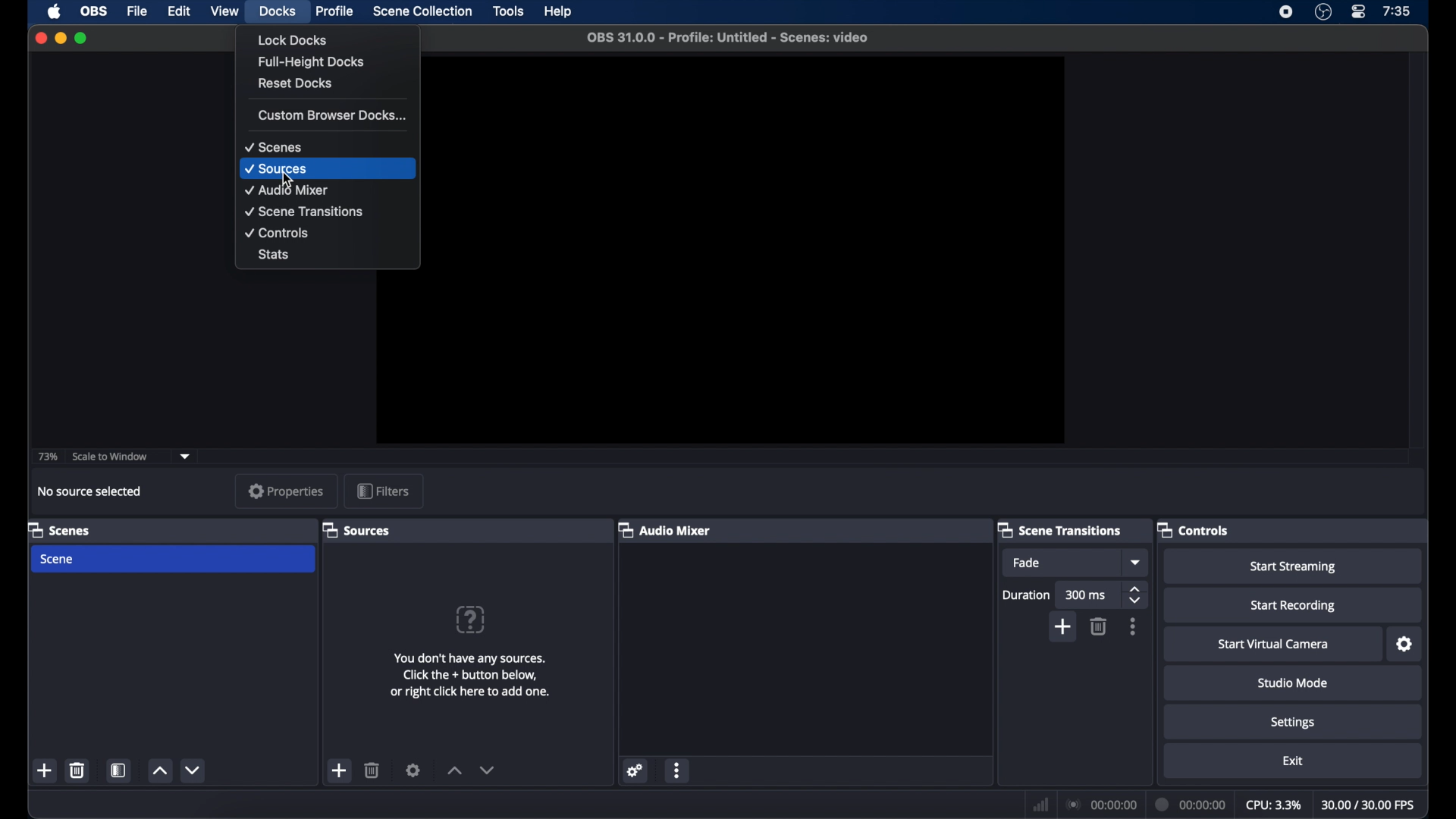 Image resolution: width=1456 pixels, height=819 pixels. I want to click on add, so click(340, 770).